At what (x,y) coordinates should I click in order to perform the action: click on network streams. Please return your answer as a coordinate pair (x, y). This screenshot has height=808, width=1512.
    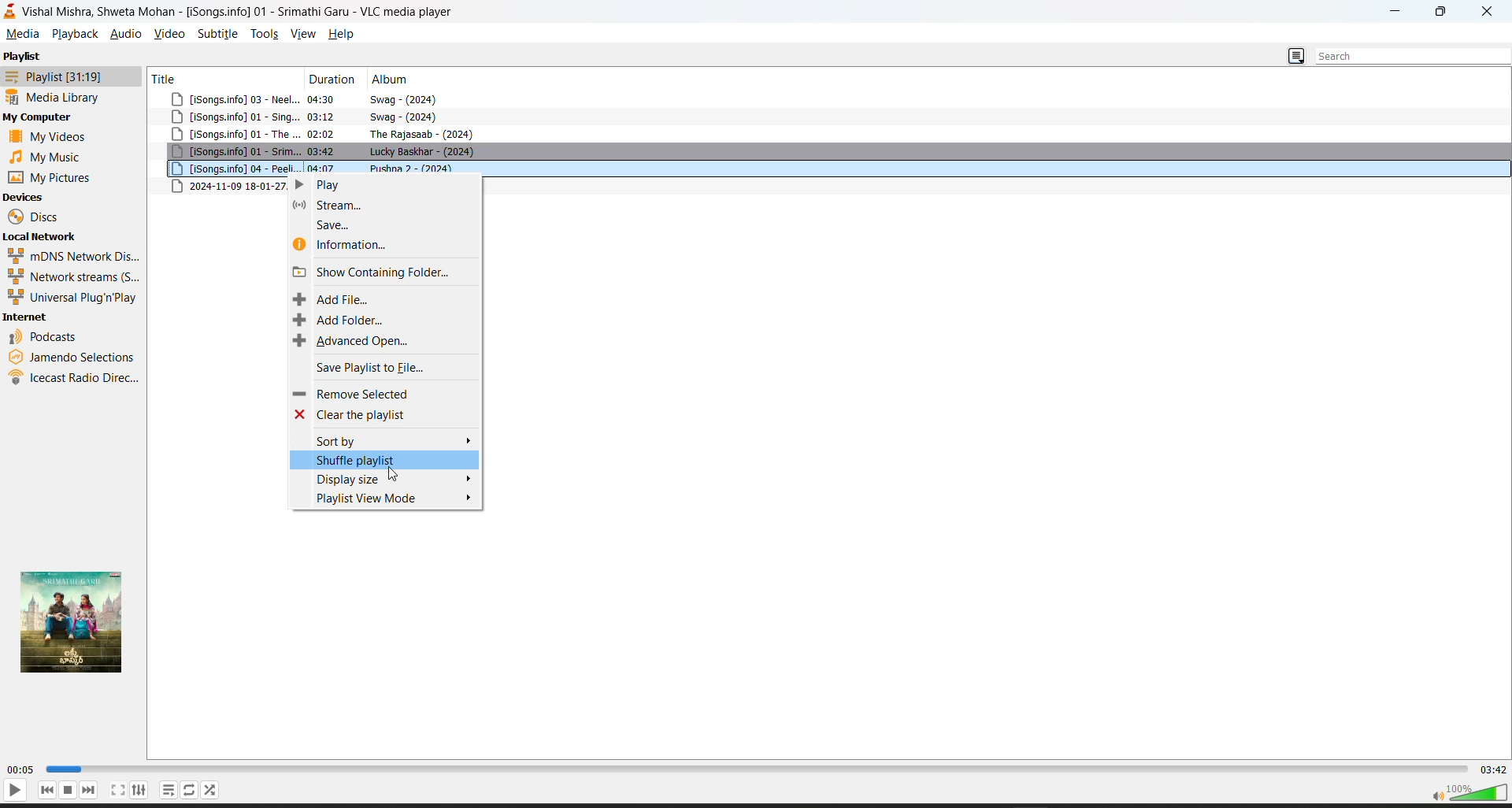
    Looking at the image, I should click on (69, 276).